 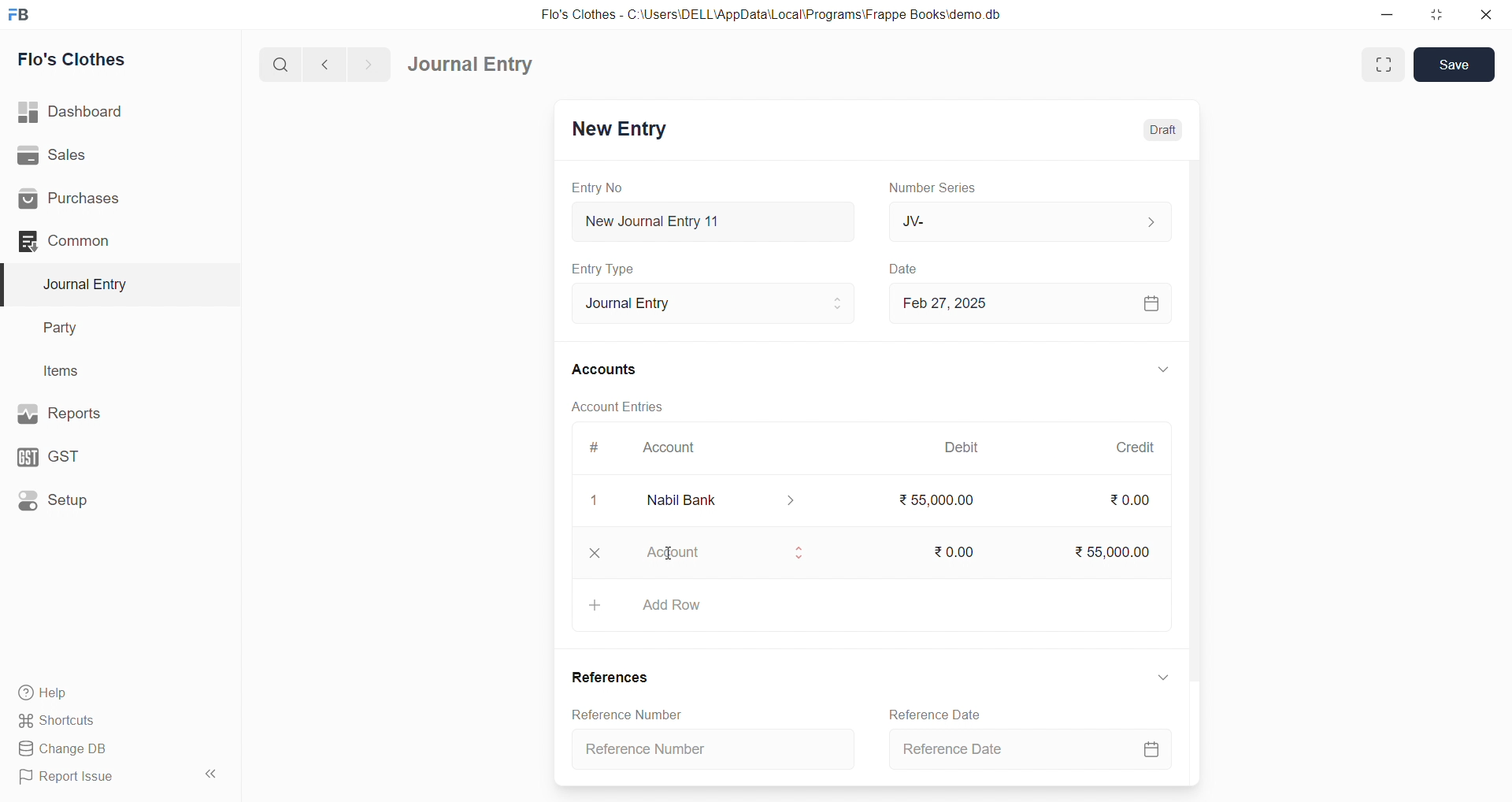 I want to click on Flo's Clothes - C:\Users\DELL\AppData\Local\Programs\Frappe Books\demo.db, so click(x=771, y=13).